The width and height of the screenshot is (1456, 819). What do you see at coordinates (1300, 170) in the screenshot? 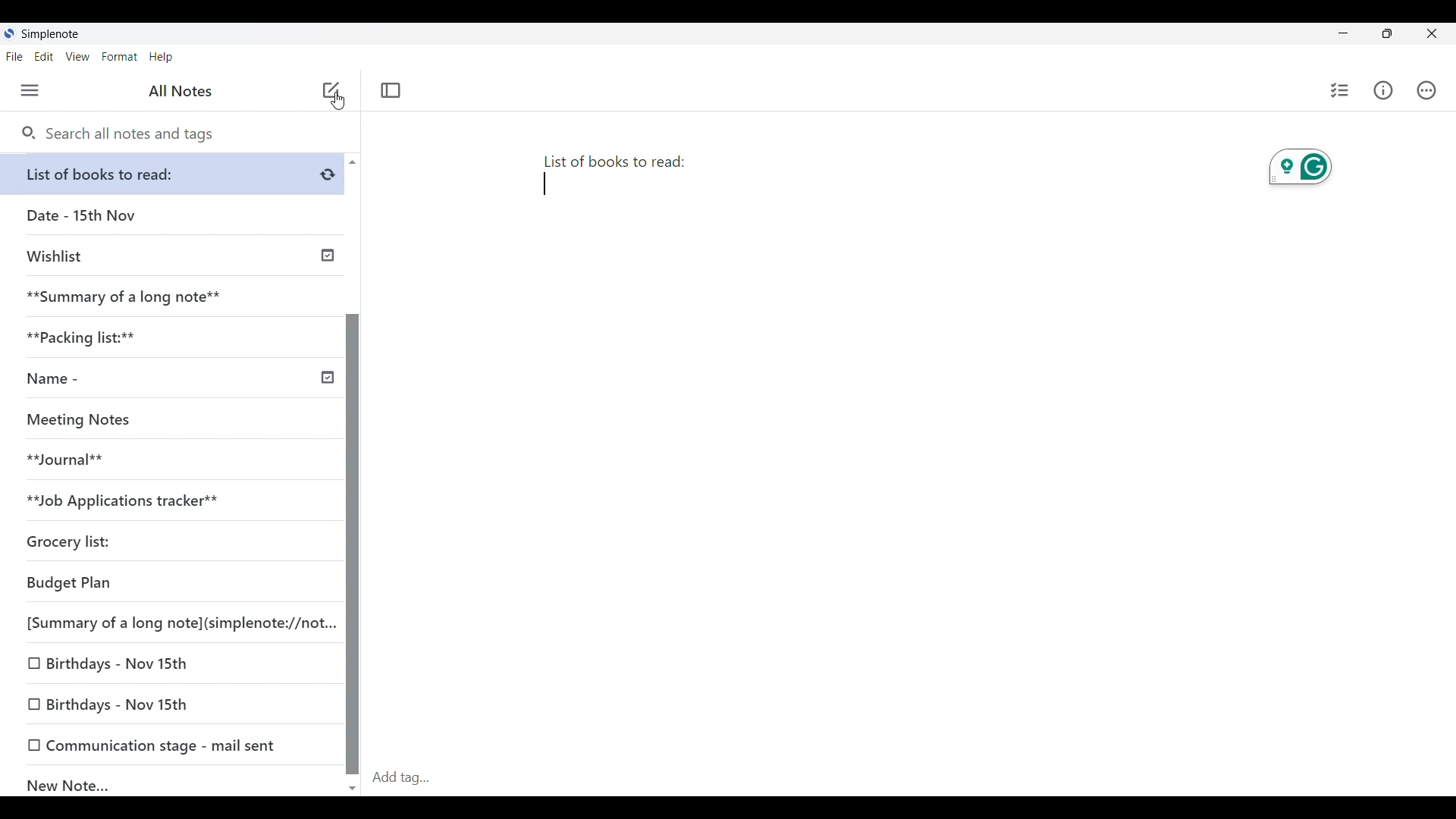
I see `Grammarly extension` at bounding box center [1300, 170].